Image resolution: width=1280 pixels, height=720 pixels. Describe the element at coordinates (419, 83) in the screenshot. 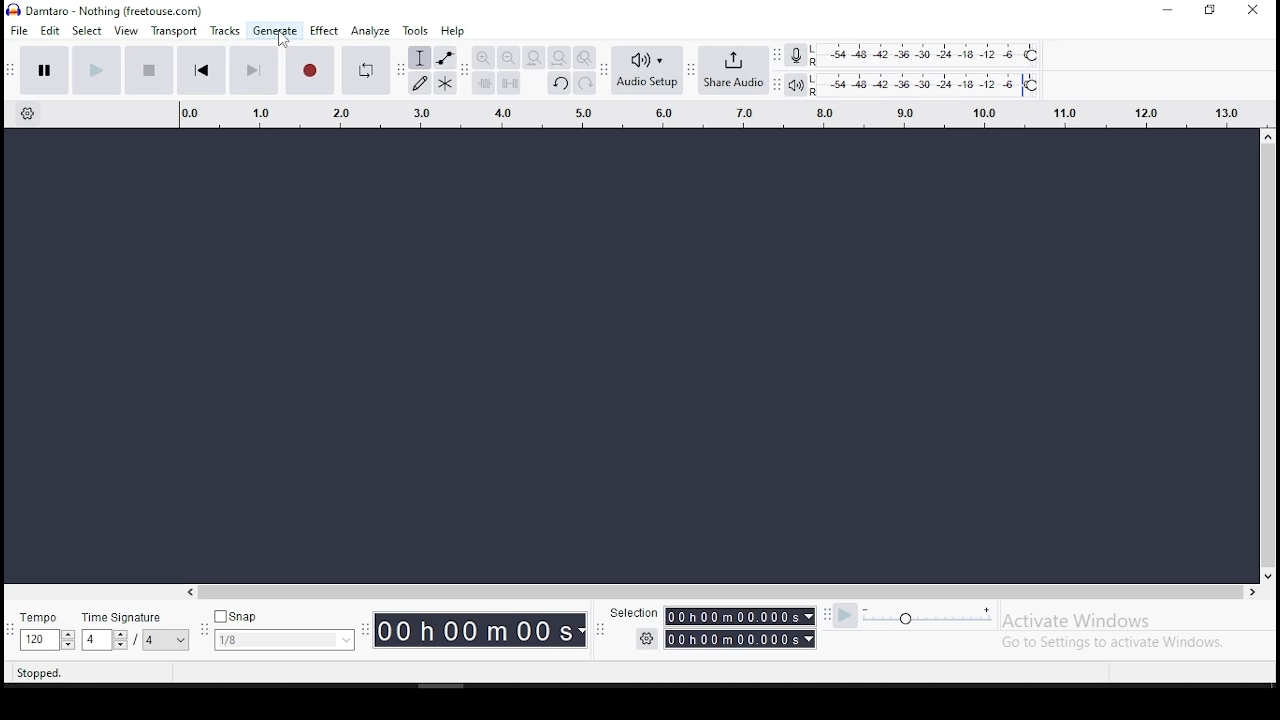

I see `draw tool` at that location.